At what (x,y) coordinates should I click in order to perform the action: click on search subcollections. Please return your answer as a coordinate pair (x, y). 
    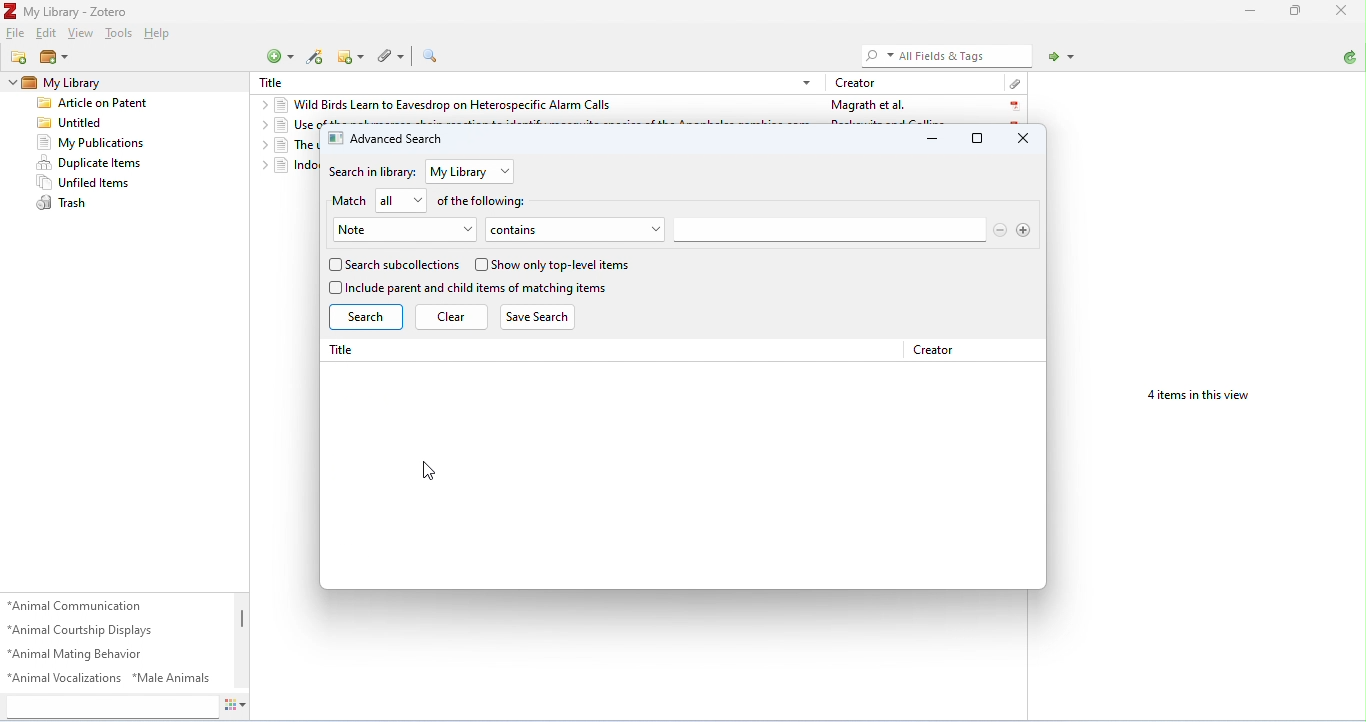
    Looking at the image, I should click on (402, 265).